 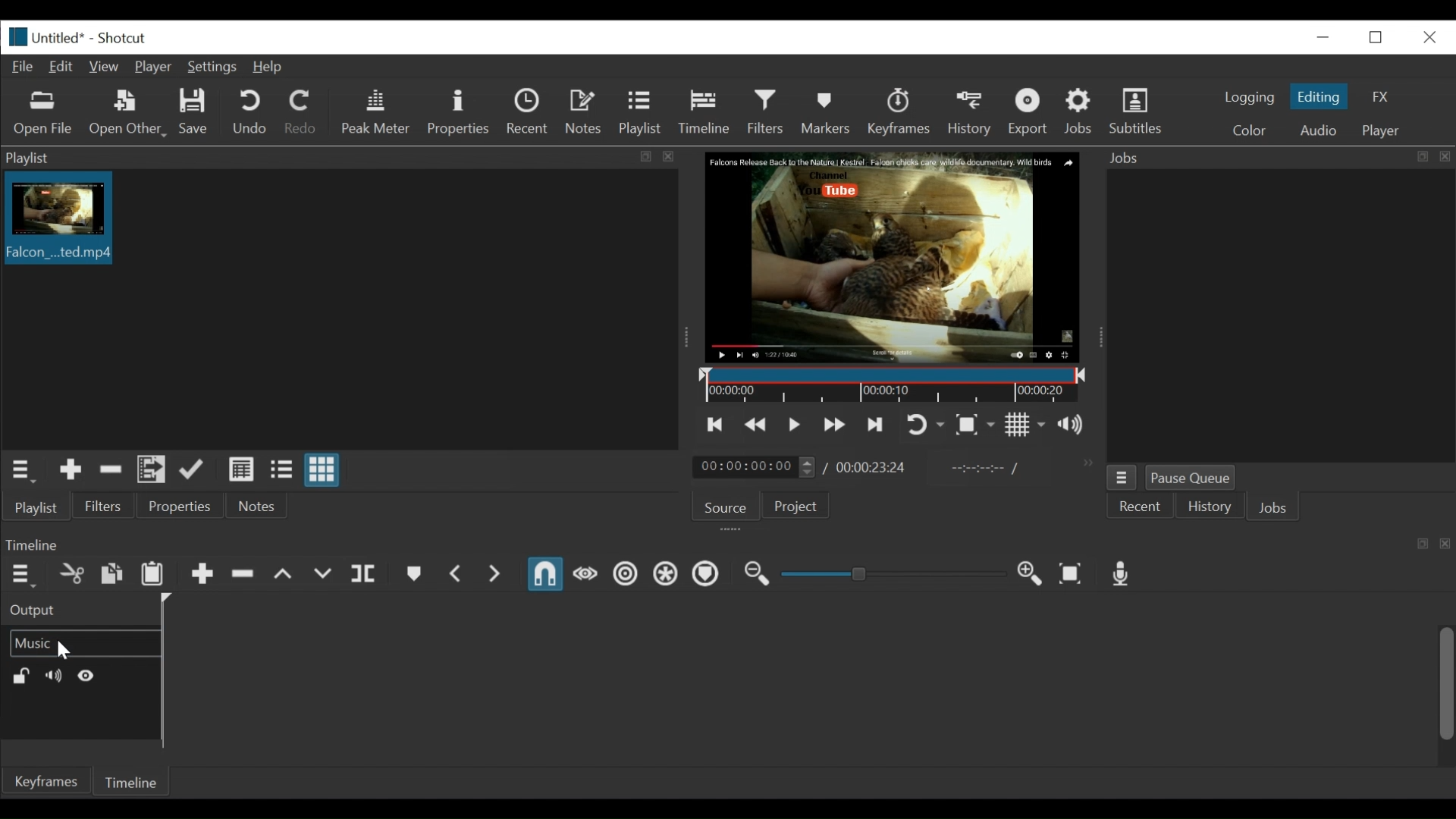 I want to click on Overwrite, so click(x=324, y=573).